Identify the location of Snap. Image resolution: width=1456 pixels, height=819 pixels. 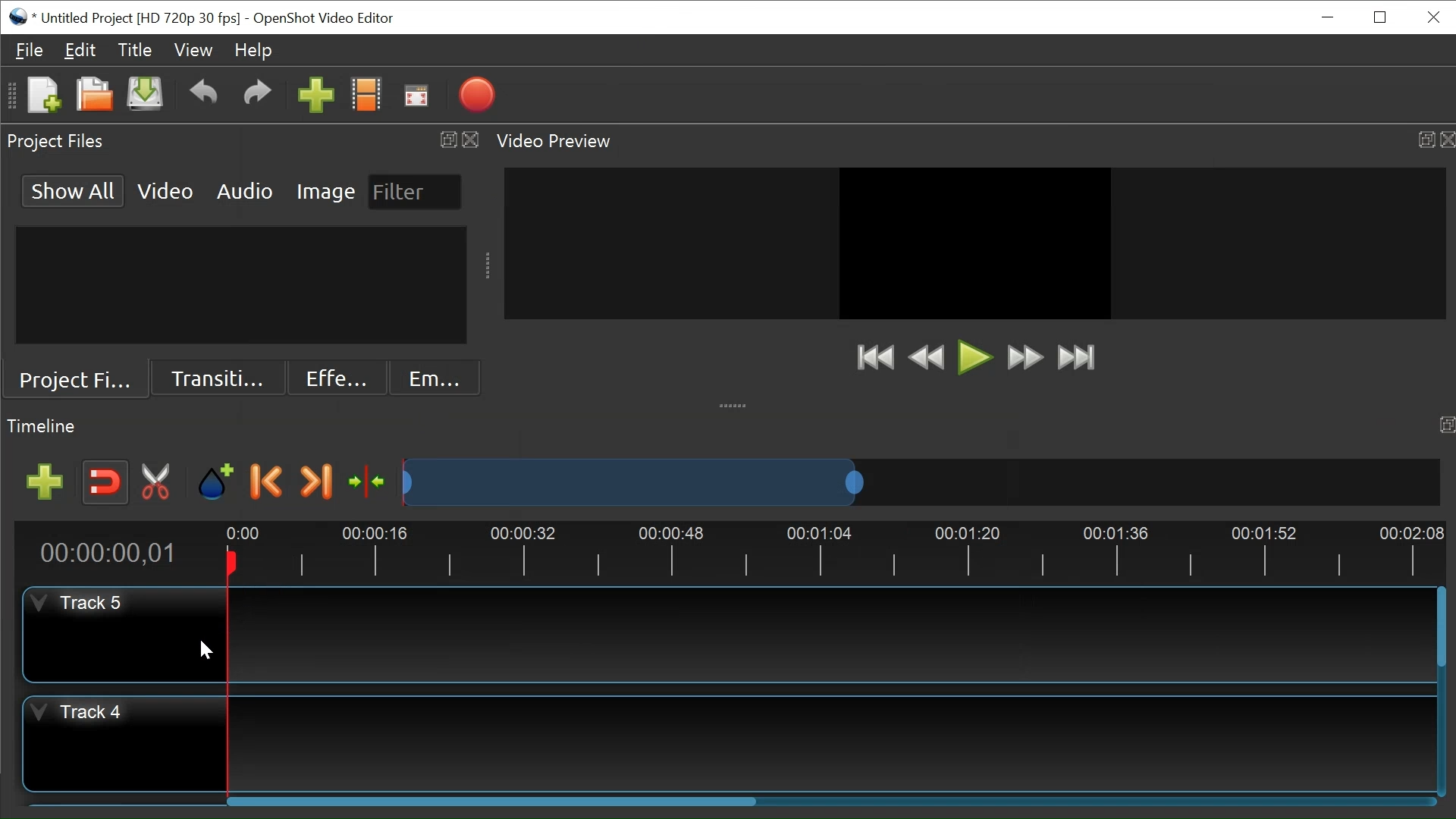
(106, 482).